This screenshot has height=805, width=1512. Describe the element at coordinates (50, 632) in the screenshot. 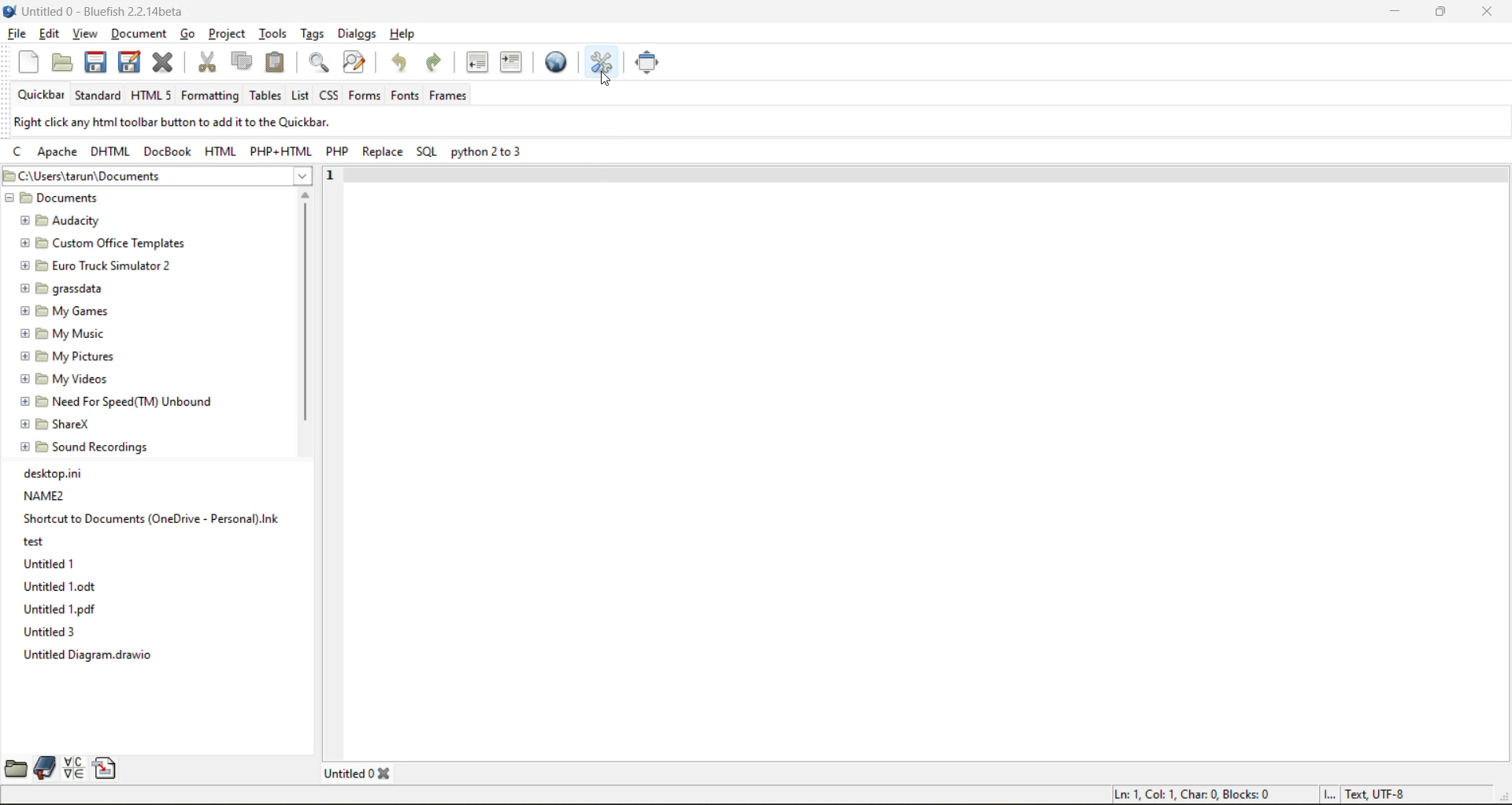

I see `Untitled 3` at that location.